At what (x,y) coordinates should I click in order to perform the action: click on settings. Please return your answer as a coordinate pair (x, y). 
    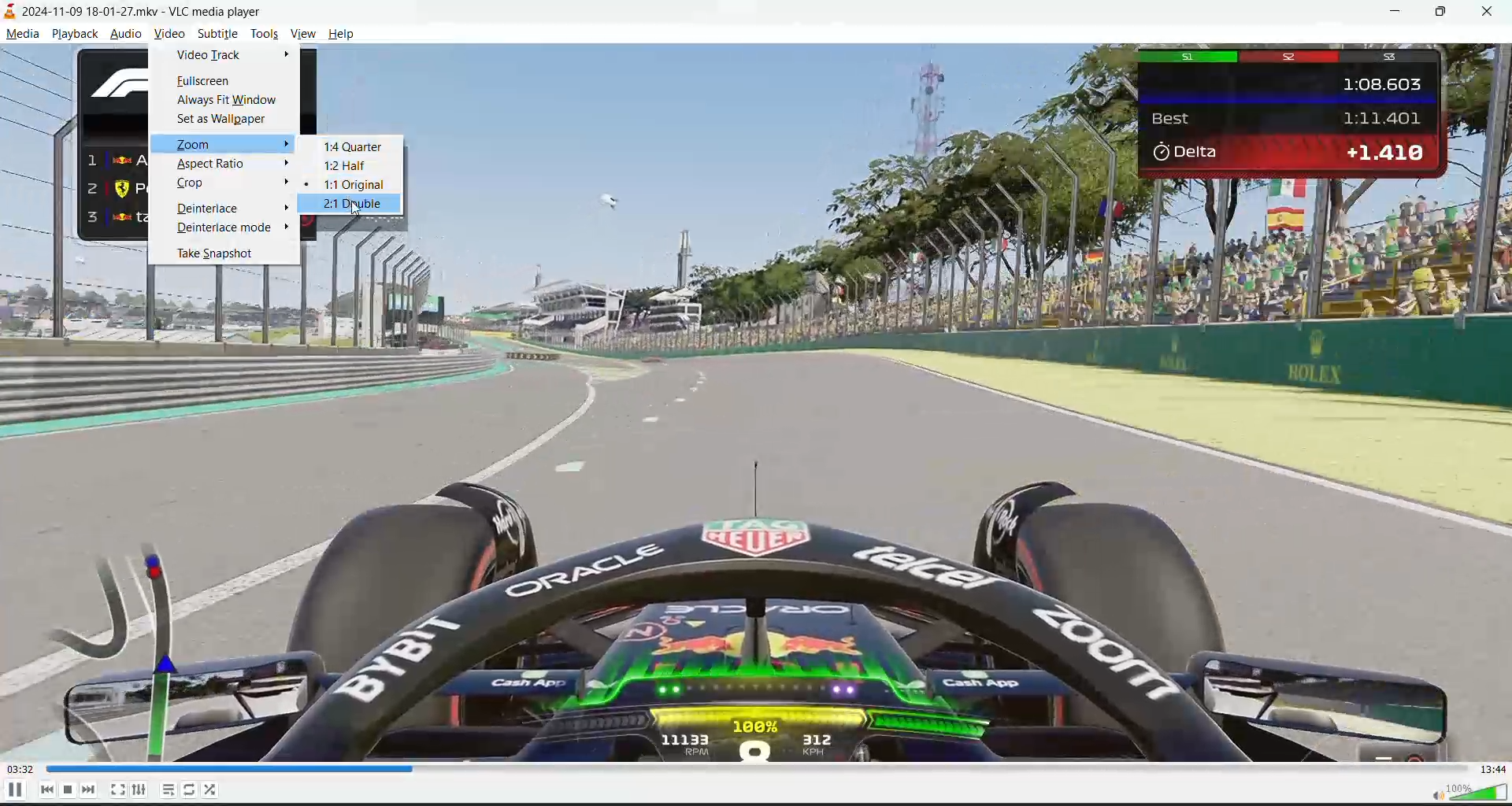
    Looking at the image, I should click on (138, 789).